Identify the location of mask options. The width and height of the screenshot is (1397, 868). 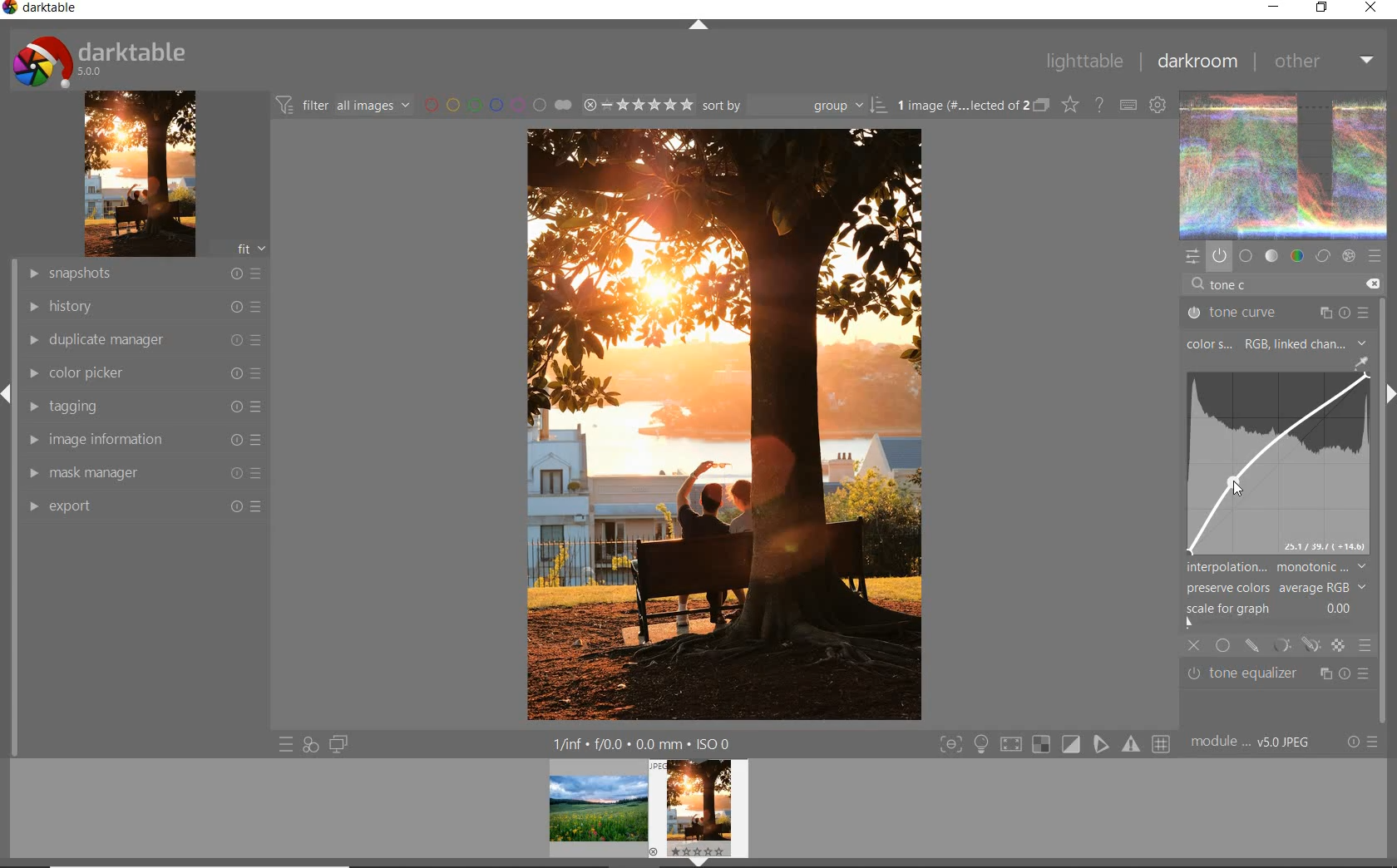
(1292, 645).